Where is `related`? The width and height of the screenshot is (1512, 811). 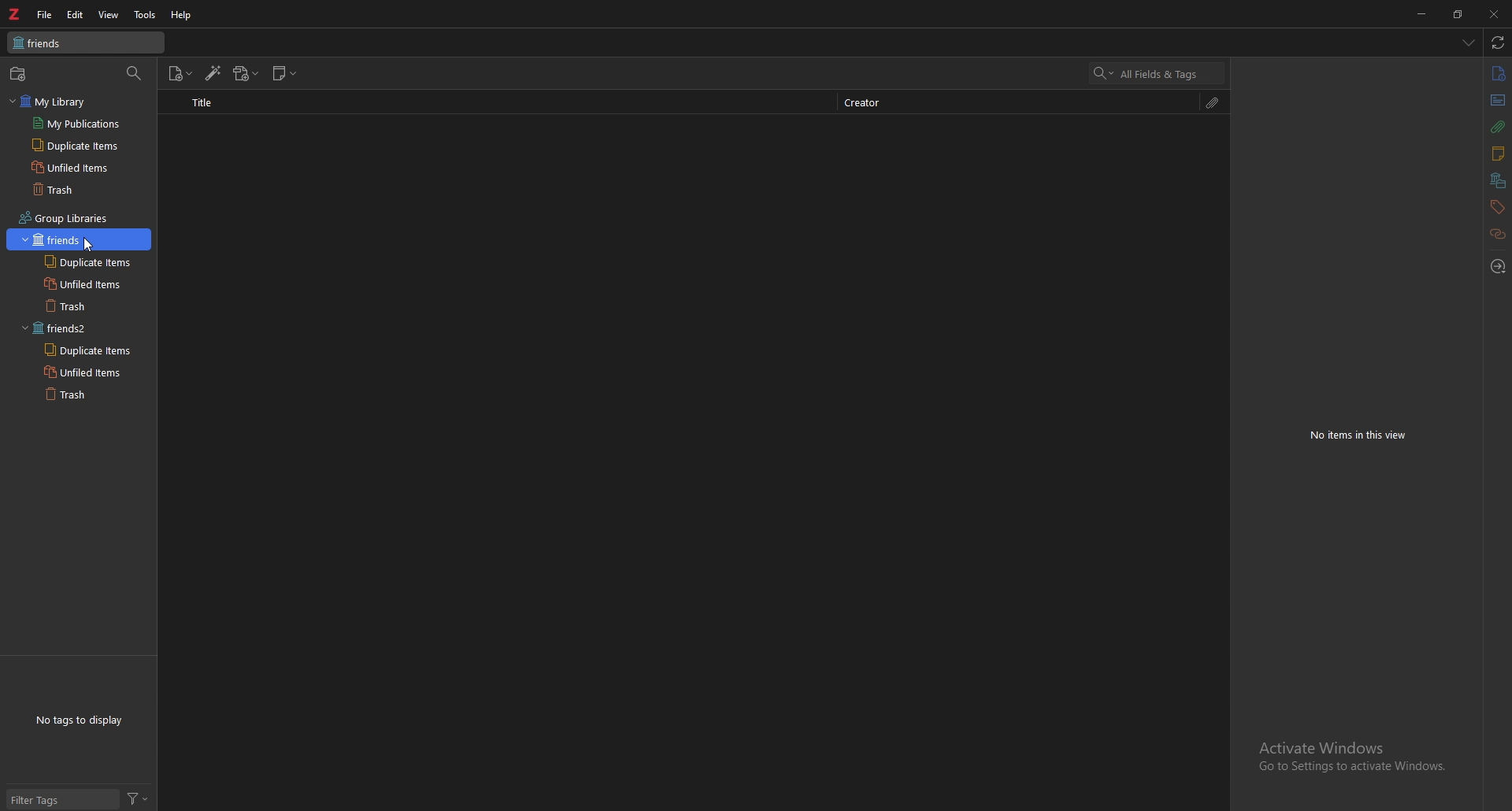
related is located at coordinates (1499, 234).